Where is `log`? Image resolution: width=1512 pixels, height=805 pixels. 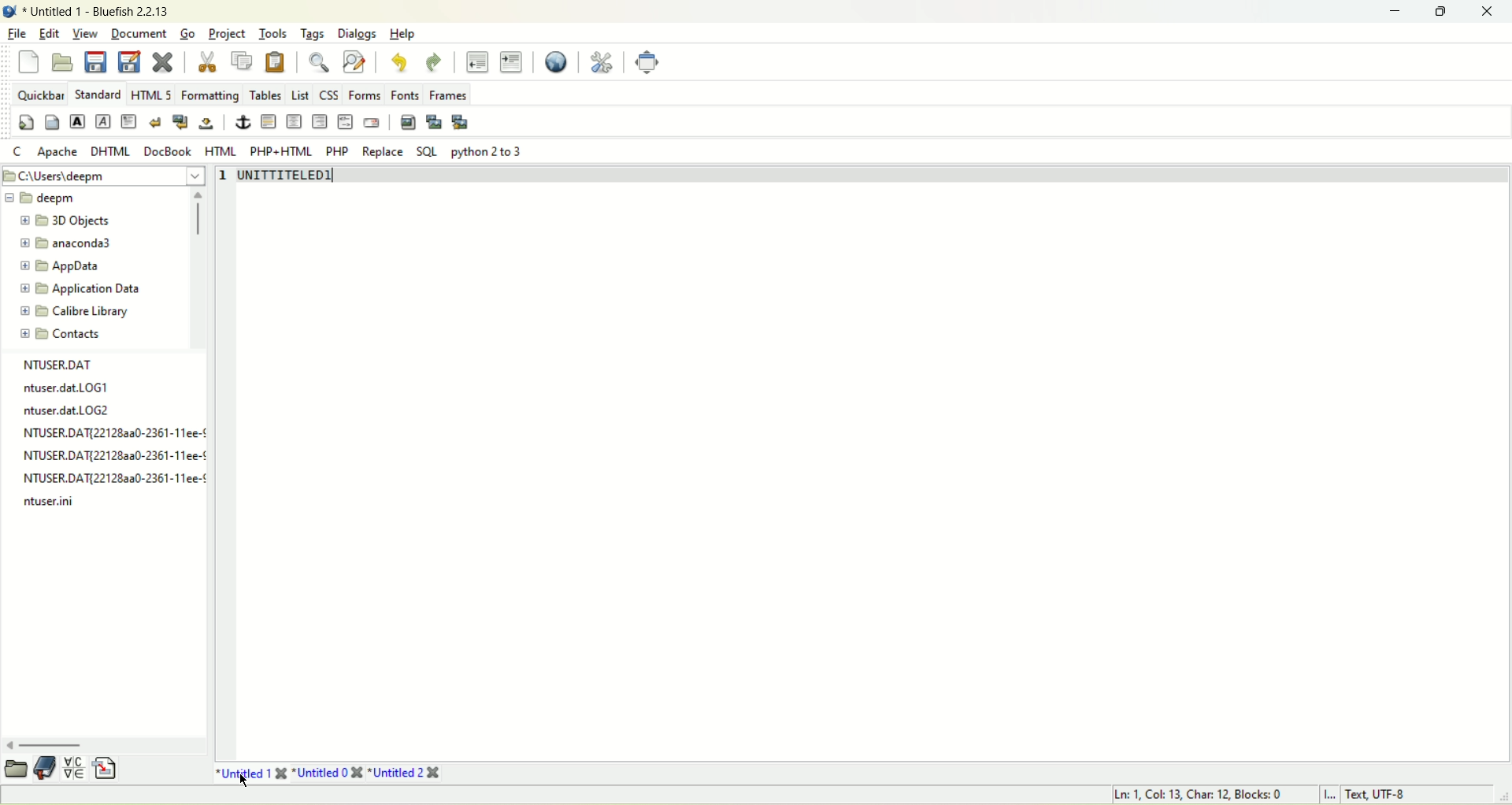
log is located at coordinates (117, 478).